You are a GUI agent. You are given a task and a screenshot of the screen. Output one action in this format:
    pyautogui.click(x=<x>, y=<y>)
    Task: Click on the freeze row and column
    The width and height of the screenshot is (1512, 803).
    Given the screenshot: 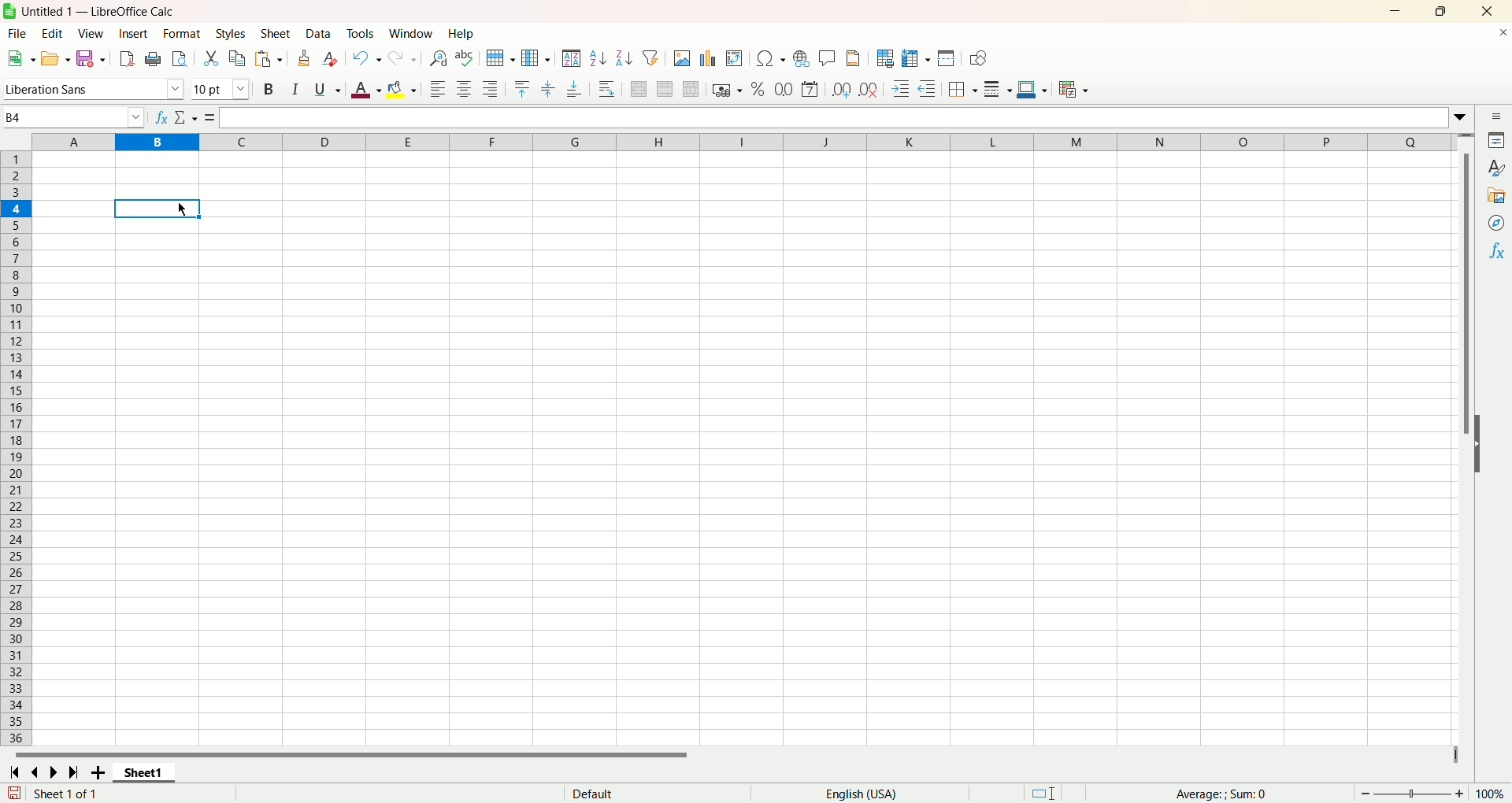 What is the action you would take?
    pyautogui.click(x=916, y=58)
    